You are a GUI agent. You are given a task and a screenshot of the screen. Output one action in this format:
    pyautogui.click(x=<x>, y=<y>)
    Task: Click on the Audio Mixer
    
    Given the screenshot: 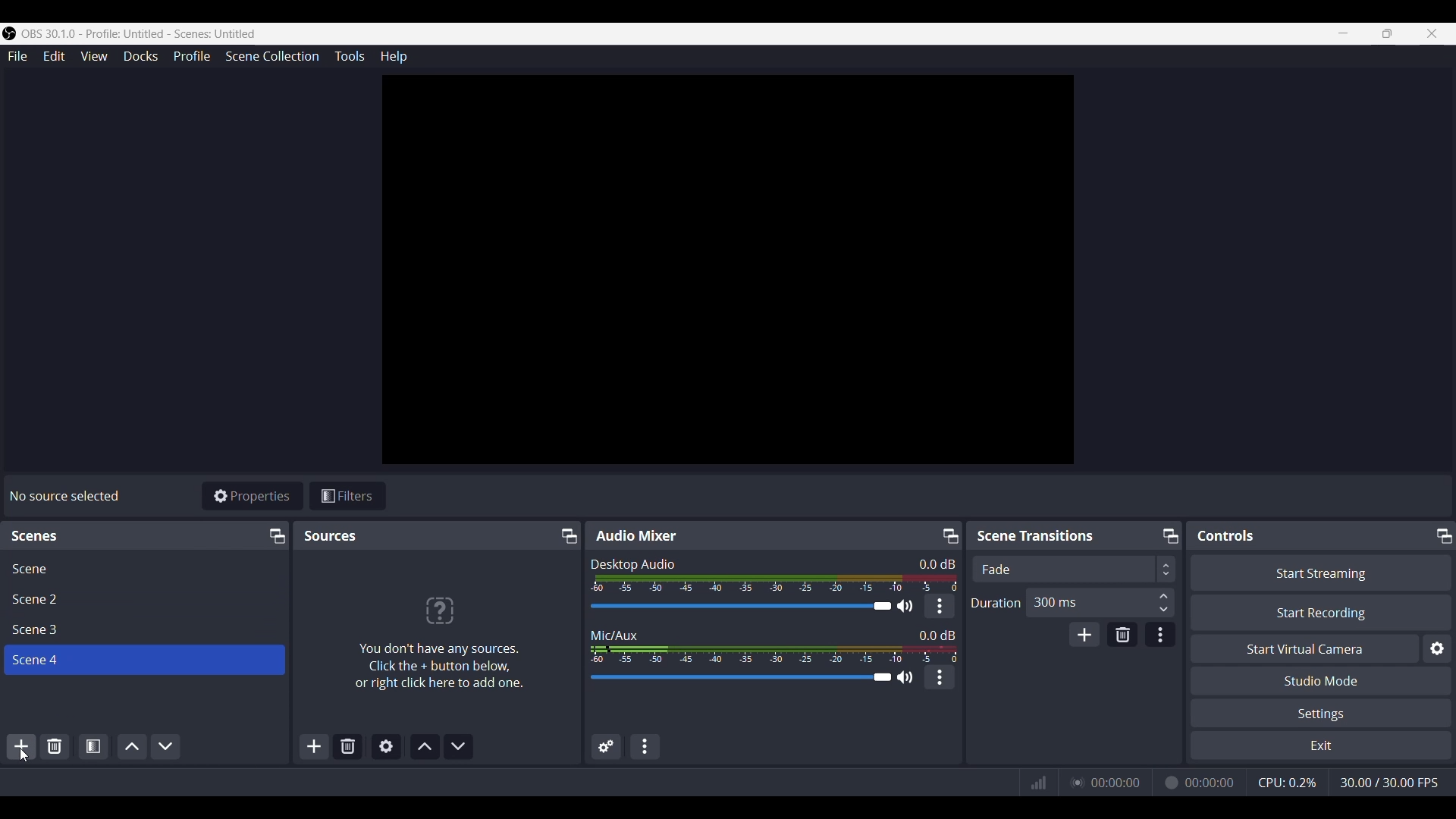 What is the action you would take?
    pyautogui.click(x=637, y=536)
    